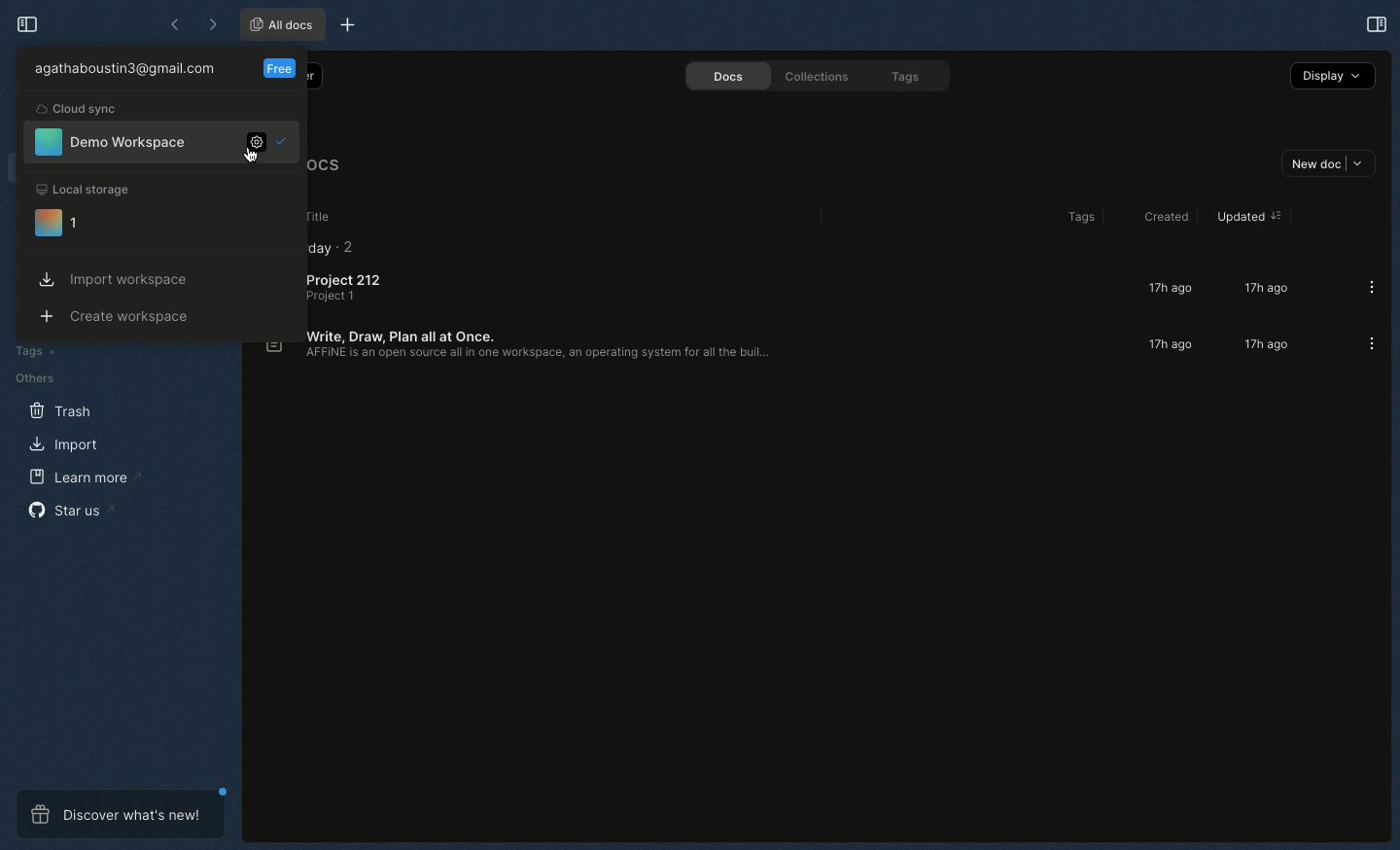 The width and height of the screenshot is (1400, 850). What do you see at coordinates (1152, 215) in the screenshot?
I see `Created` at bounding box center [1152, 215].